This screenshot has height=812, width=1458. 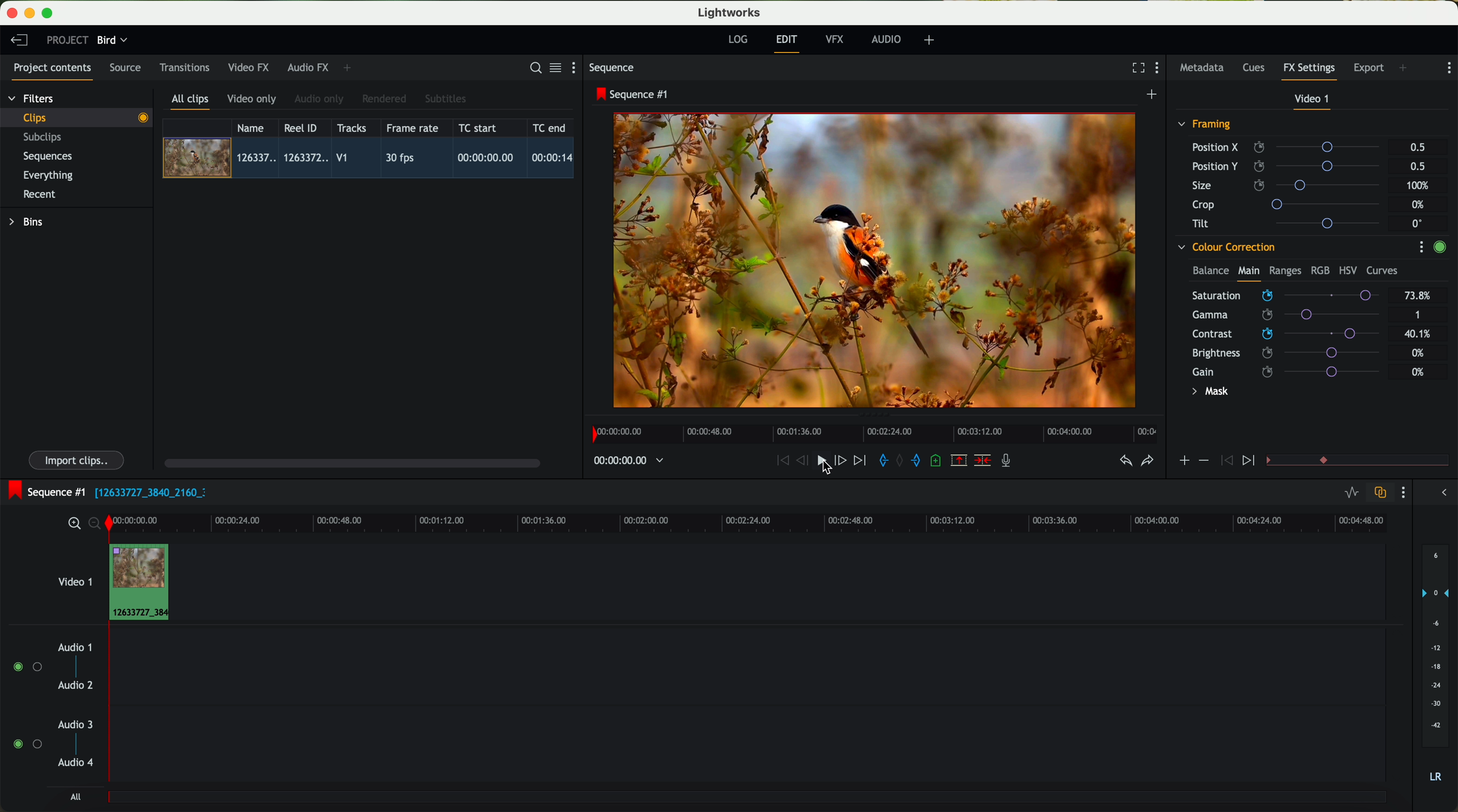 What do you see at coordinates (184, 67) in the screenshot?
I see `transitions` at bounding box center [184, 67].